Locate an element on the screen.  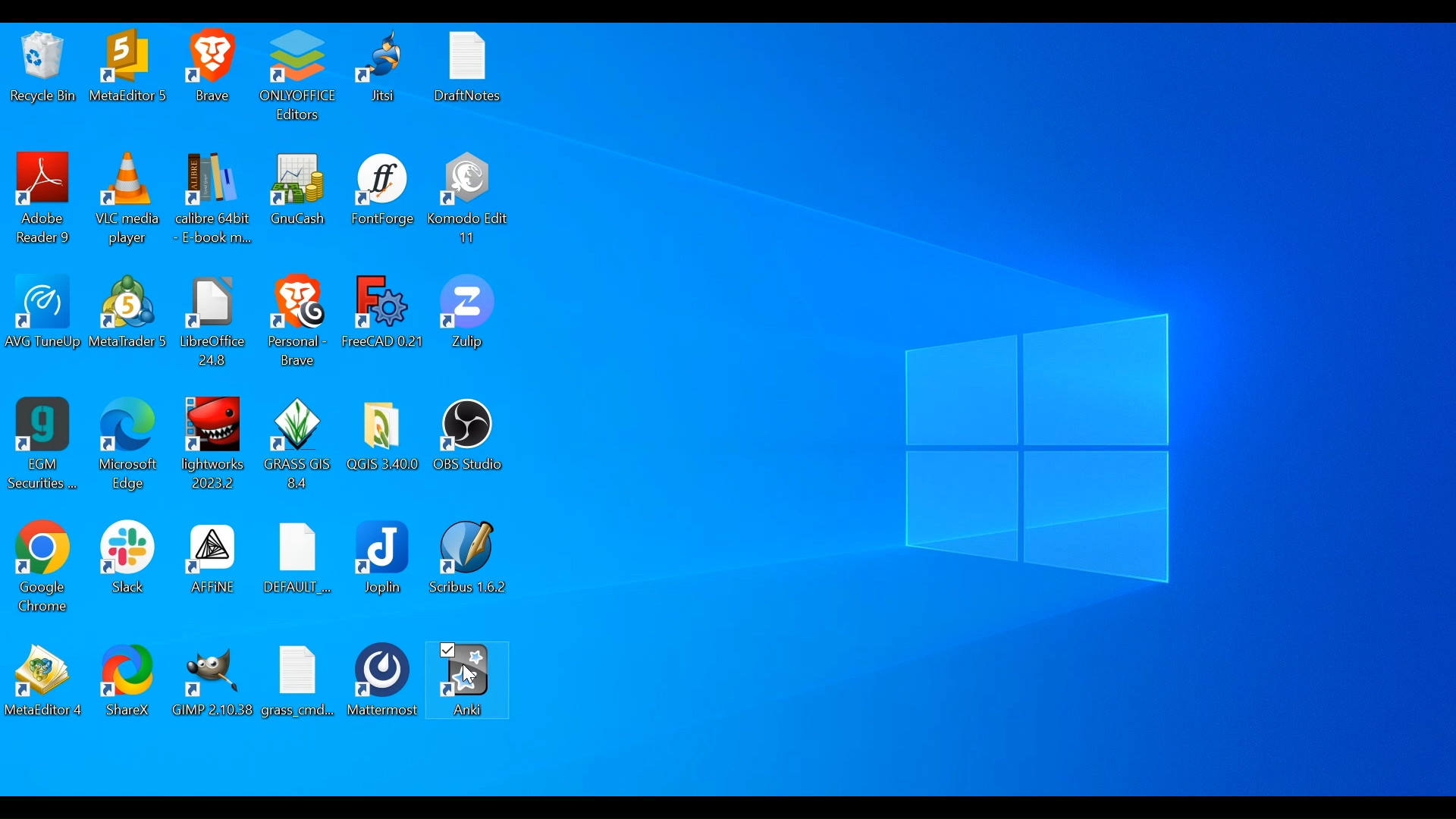
Joplin Desktop icon is located at coordinates (380, 558).